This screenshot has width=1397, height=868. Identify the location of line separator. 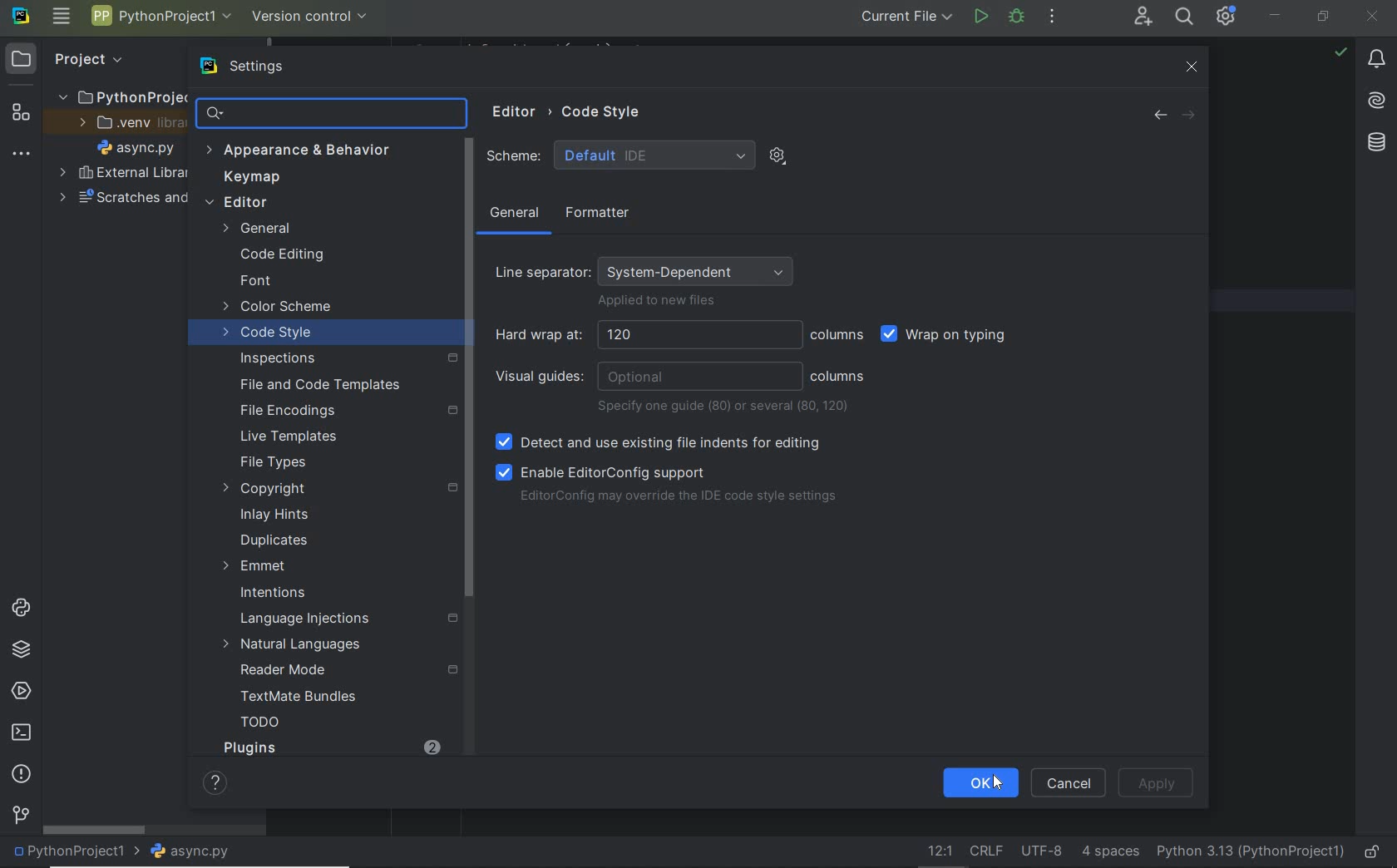
(987, 852).